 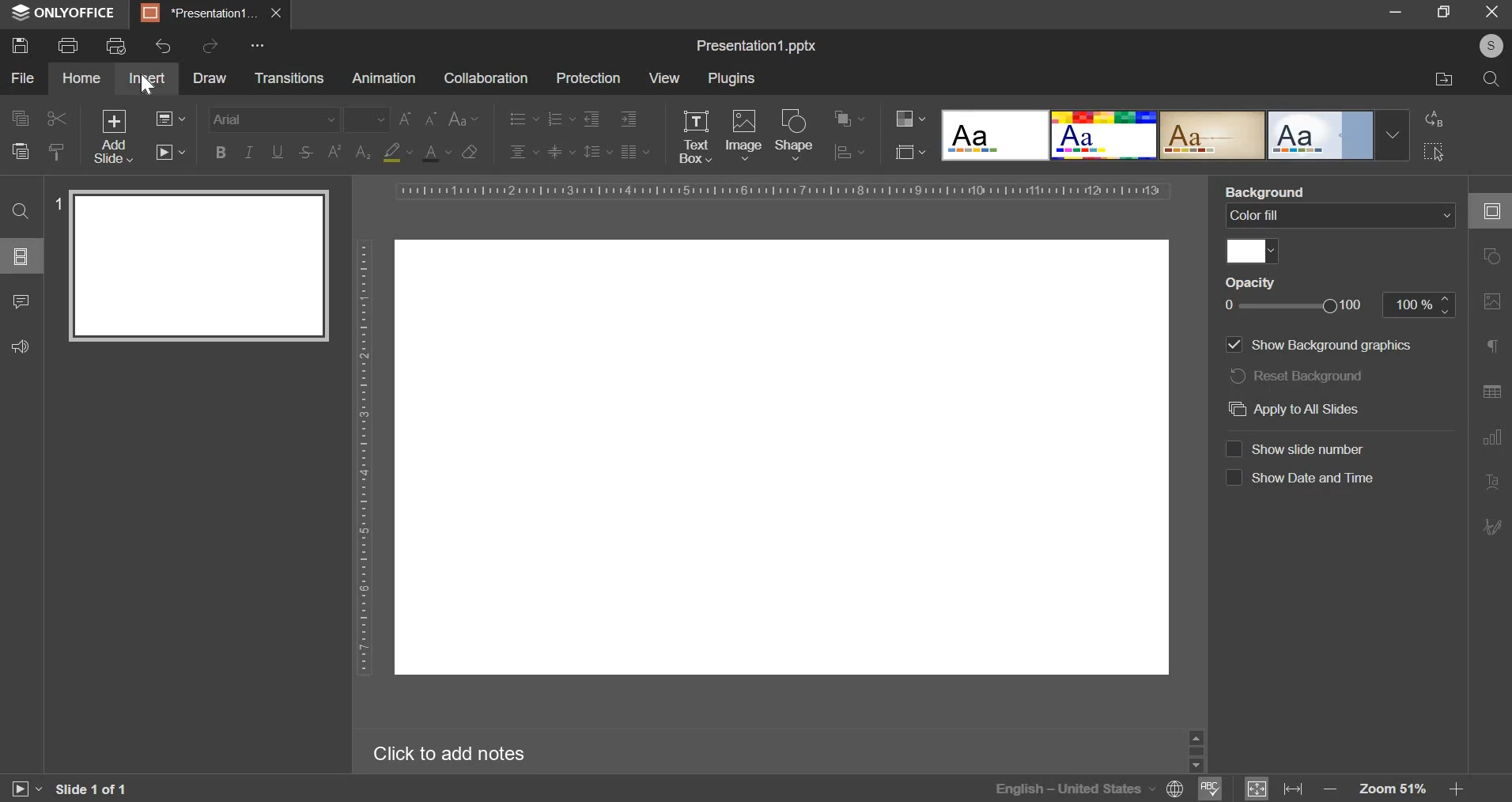 I want to click on chart settings, so click(x=1491, y=442).